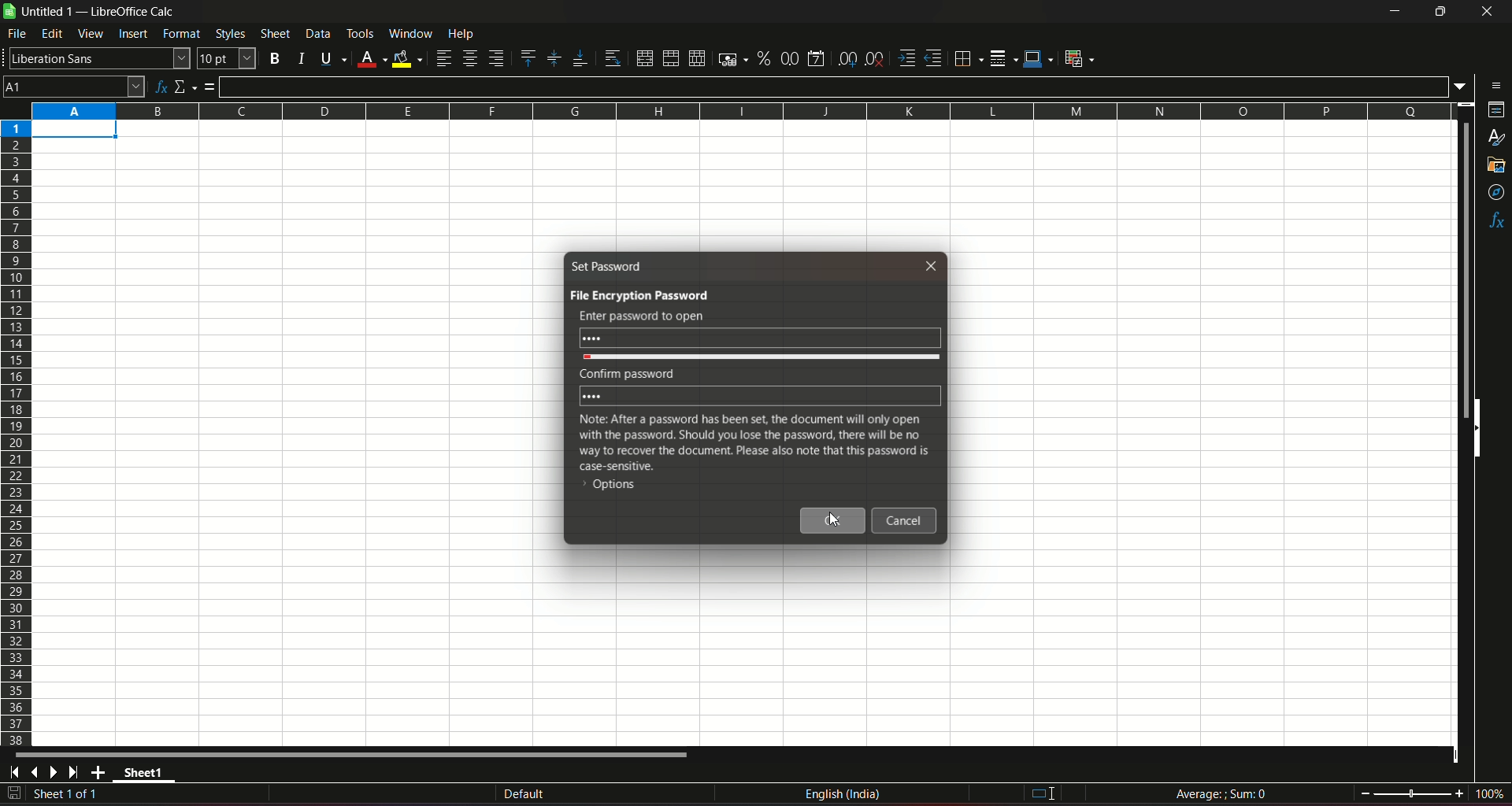 This screenshot has width=1512, height=806. Describe the element at coordinates (1039, 60) in the screenshot. I see `border color` at that location.